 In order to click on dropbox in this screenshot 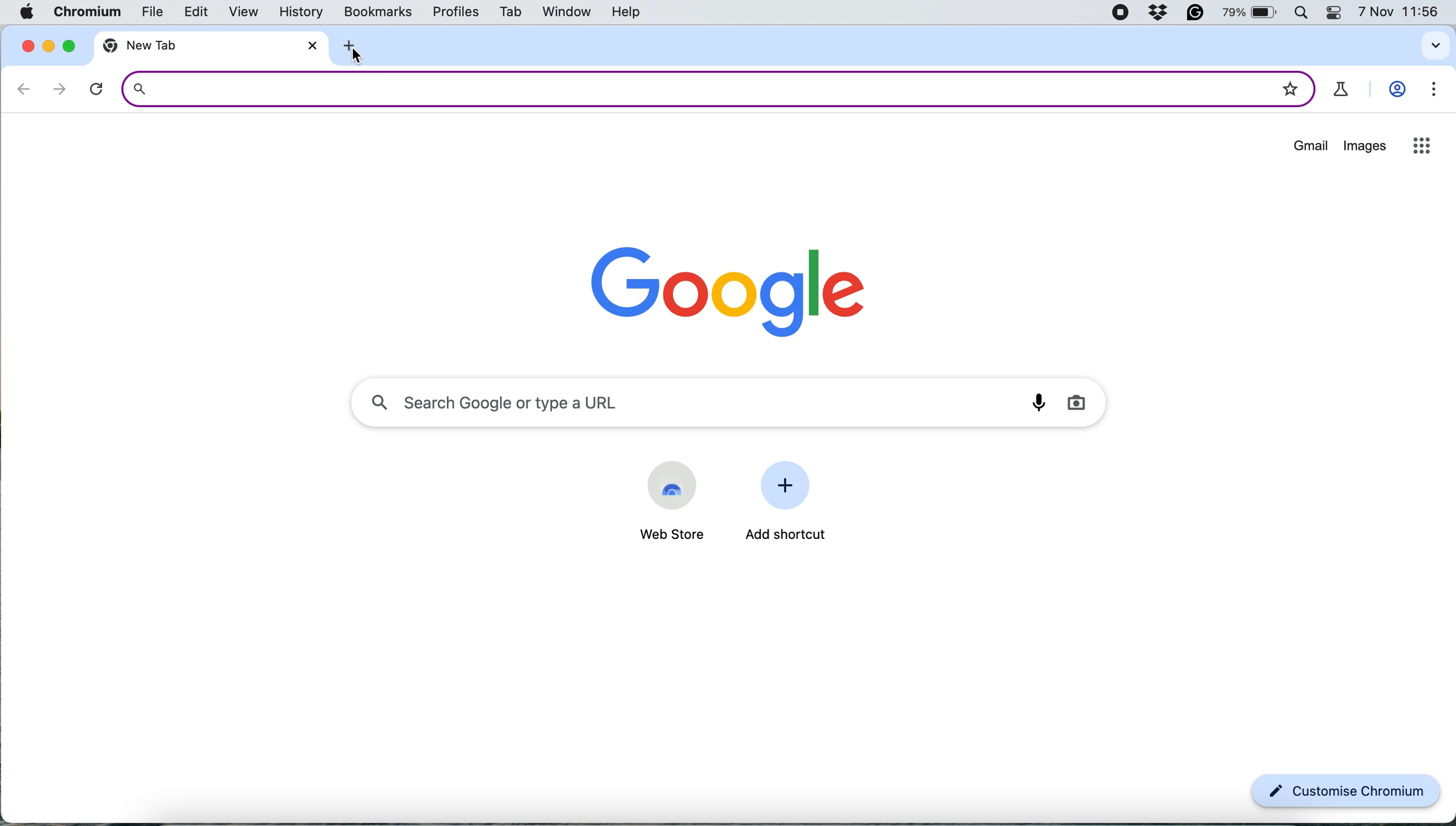, I will do `click(1160, 13)`.